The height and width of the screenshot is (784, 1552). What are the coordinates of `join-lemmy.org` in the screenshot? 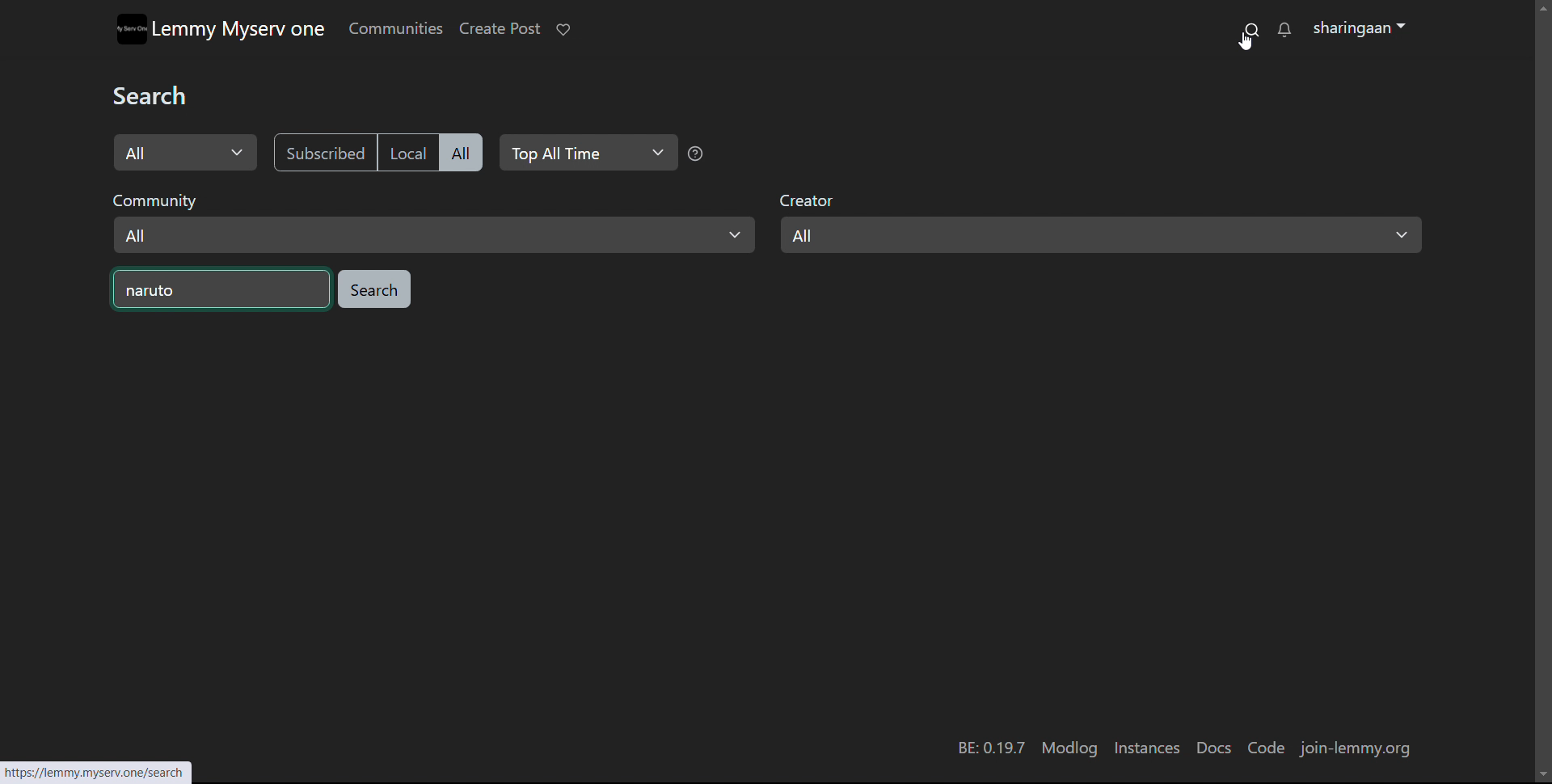 It's located at (1358, 748).